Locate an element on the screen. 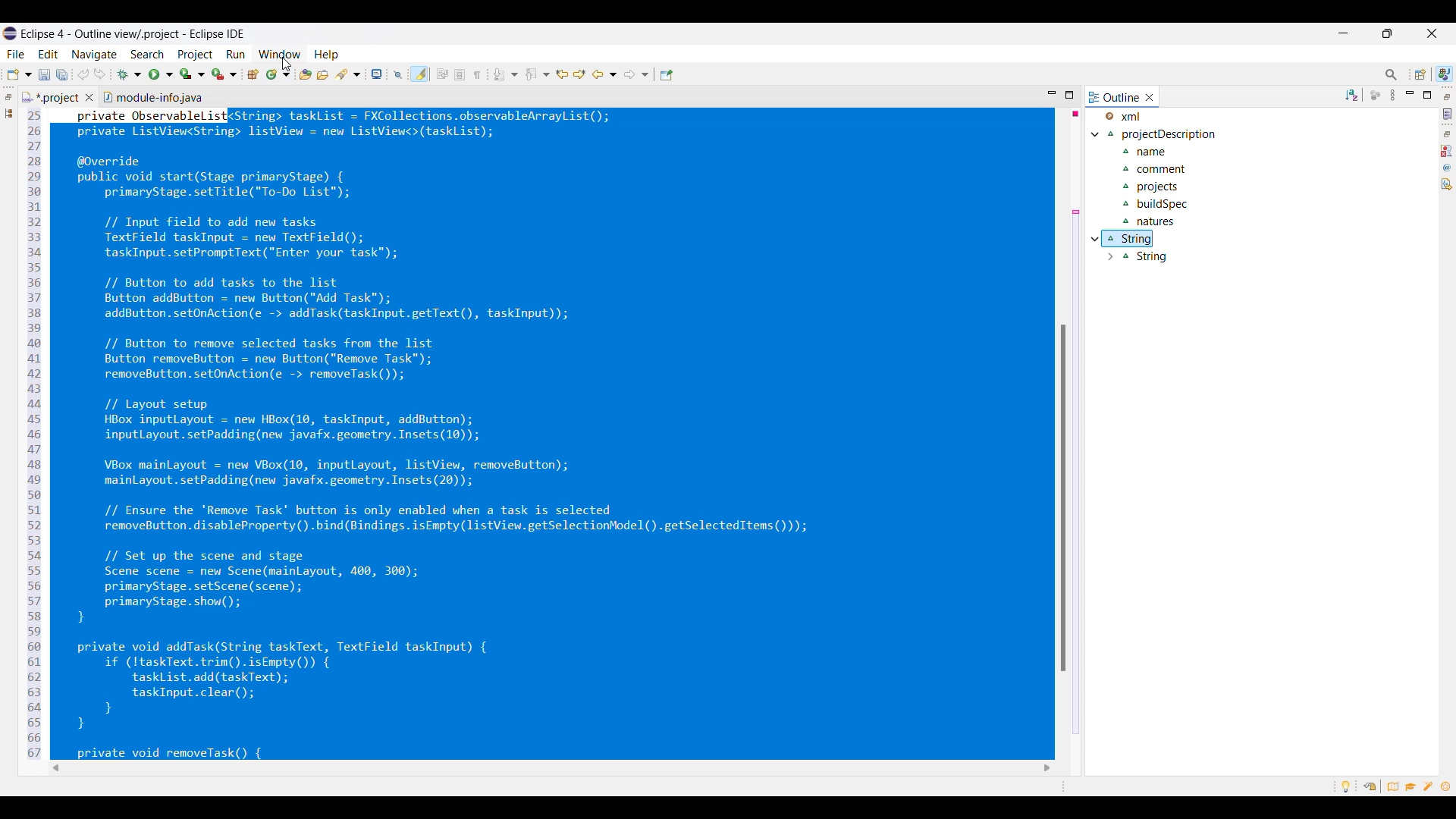  Horizontal slide bar is located at coordinates (551, 769).